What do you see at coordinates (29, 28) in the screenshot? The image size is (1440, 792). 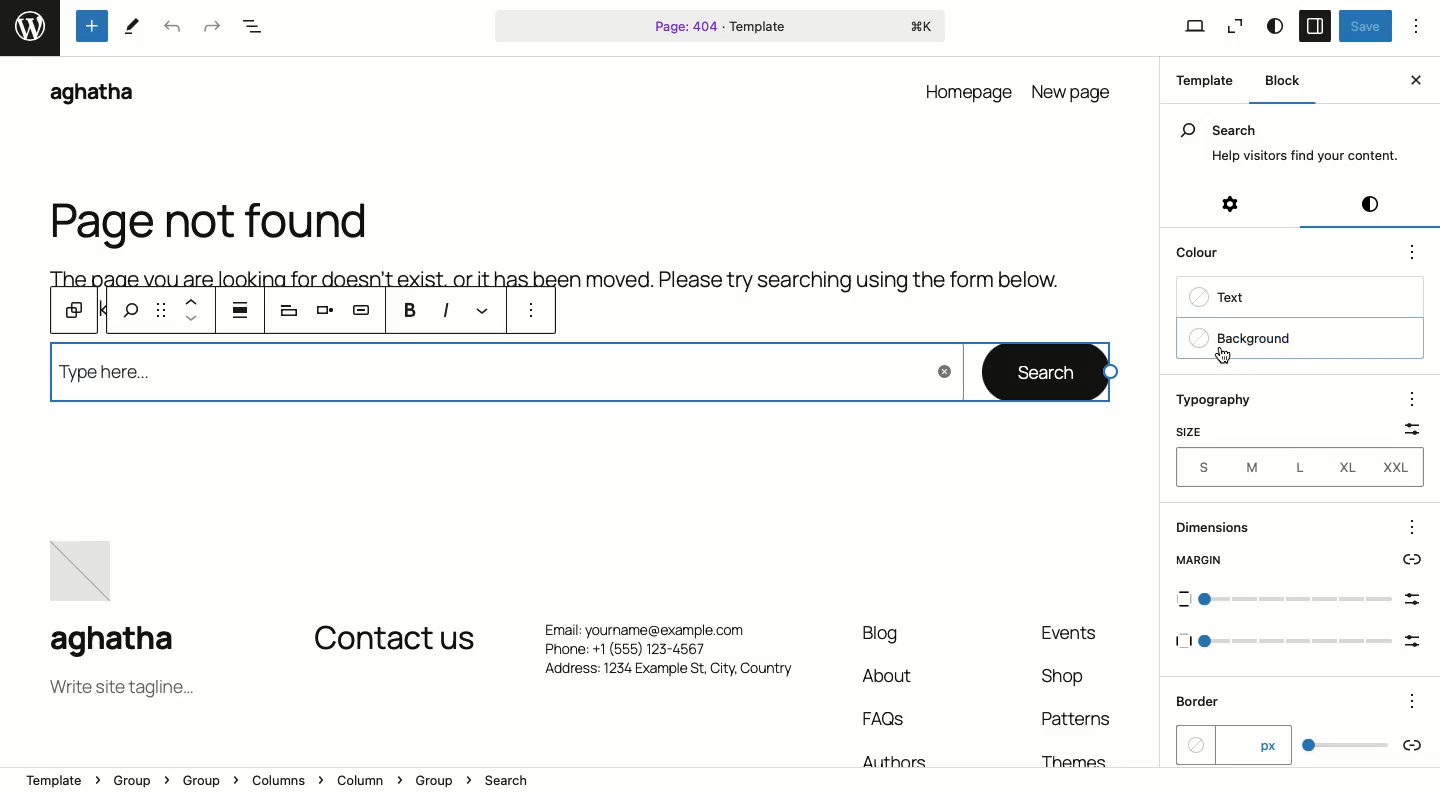 I see `word press logo` at bounding box center [29, 28].